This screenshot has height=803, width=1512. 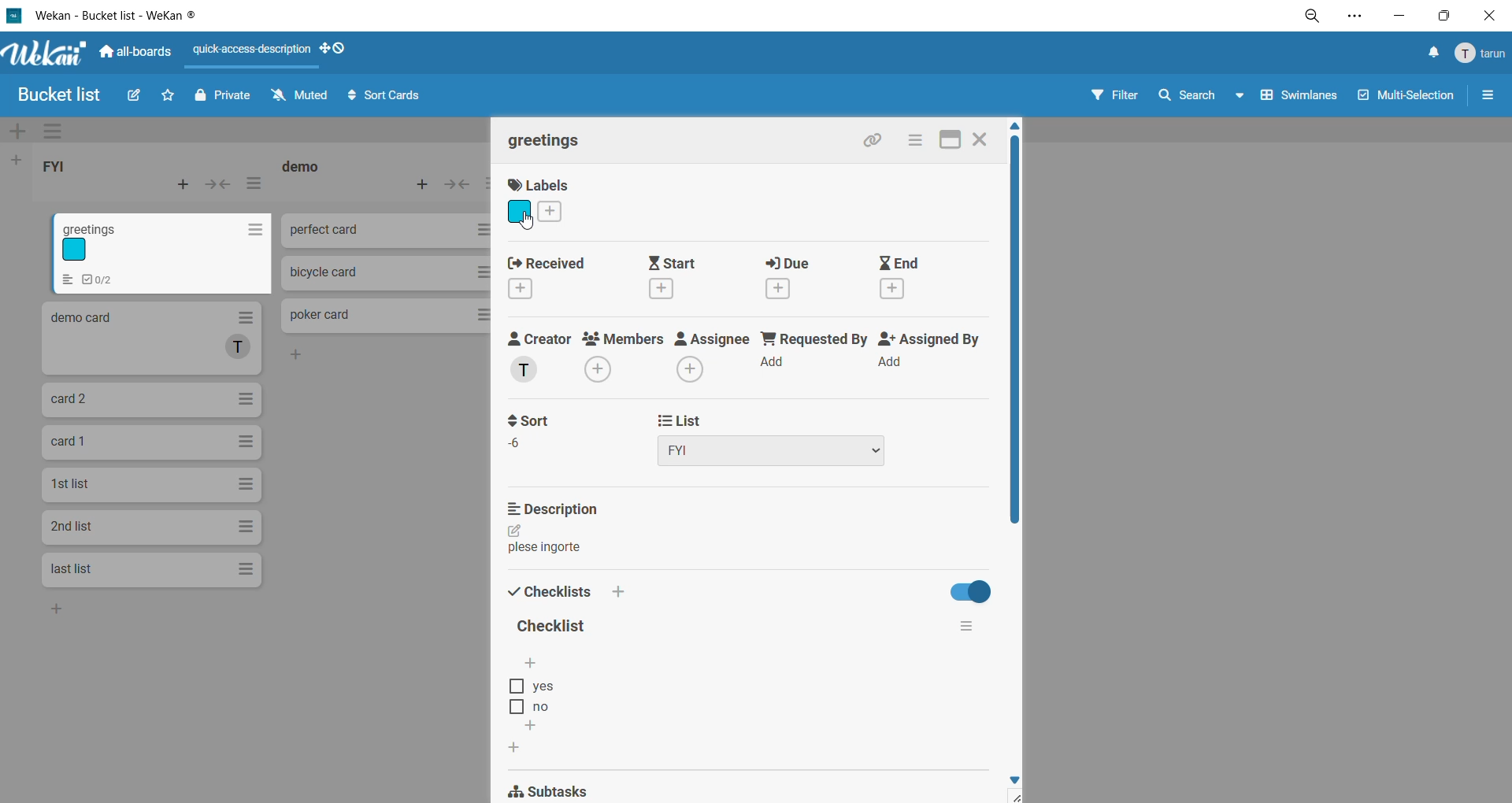 What do you see at coordinates (163, 253) in the screenshot?
I see `Greetings` at bounding box center [163, 253].